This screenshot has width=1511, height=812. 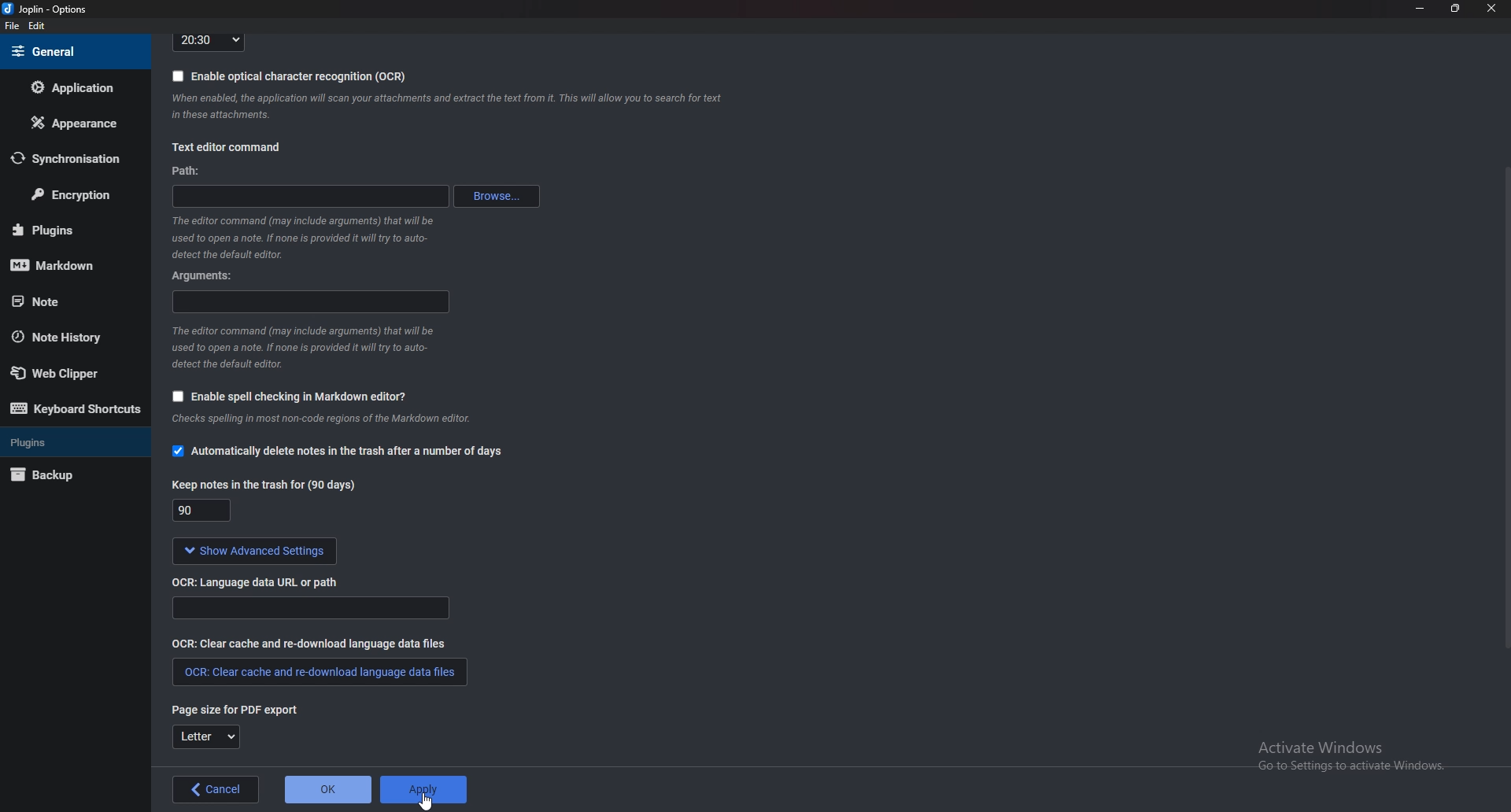 I want to click on Web clipper, so click(x=70, y=374).